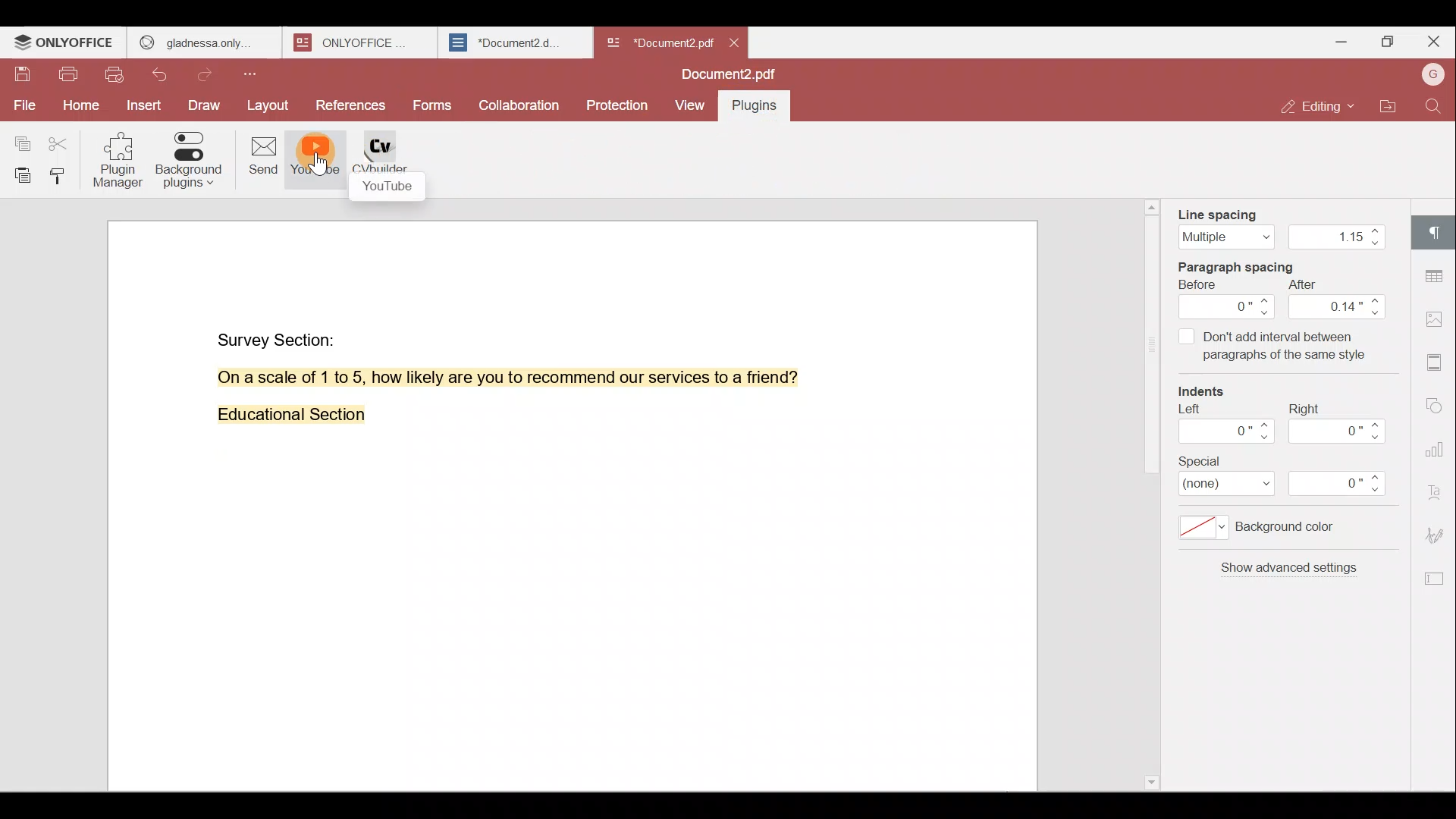 This screenshot has width=1456, height=819. What do you see at coordinates (144, 107) in the screenshot?
I see `Insert` at bounding box center [144, 107].